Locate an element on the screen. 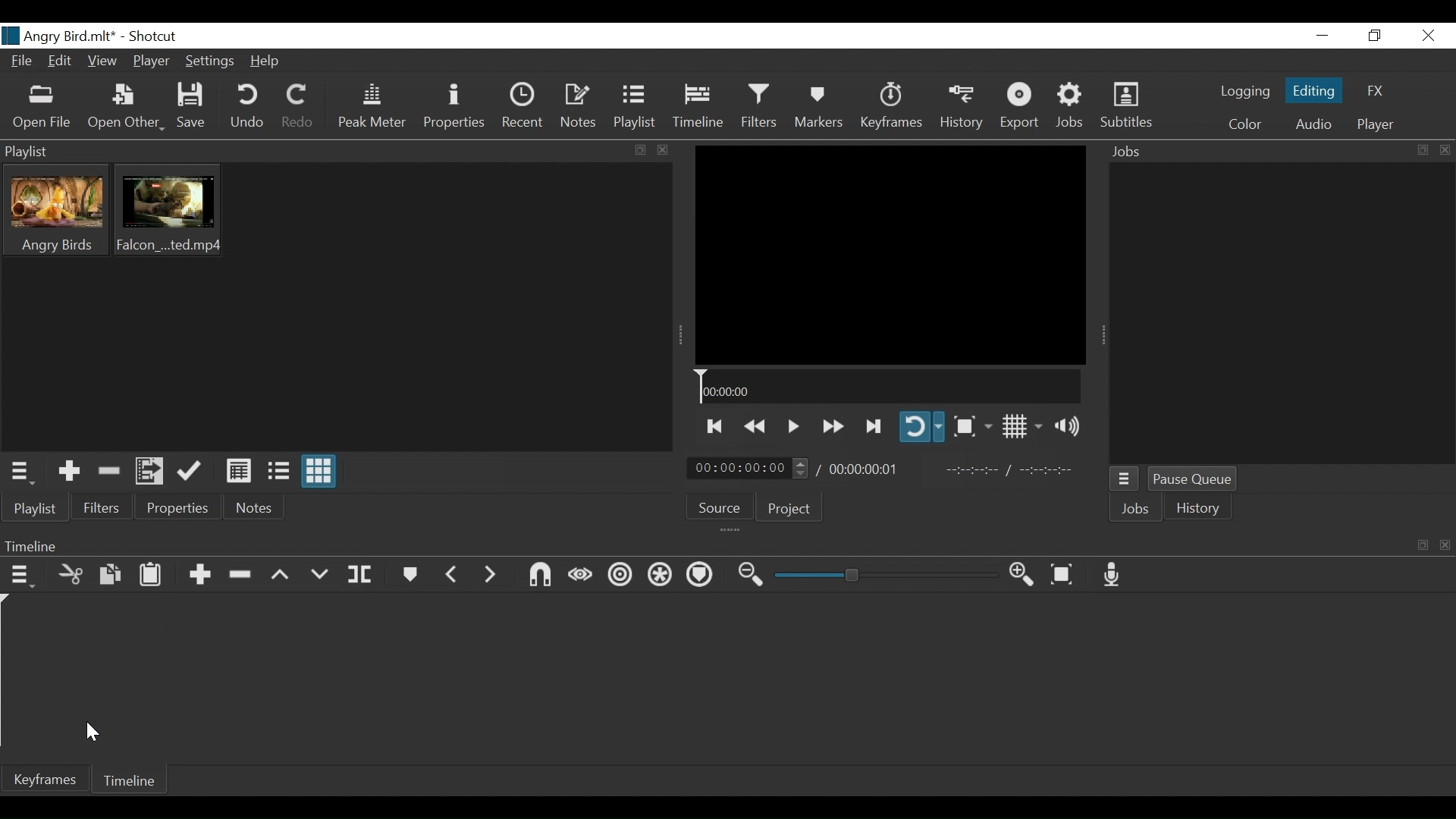  Zoom timeline out is located at coordinates (750, 576).